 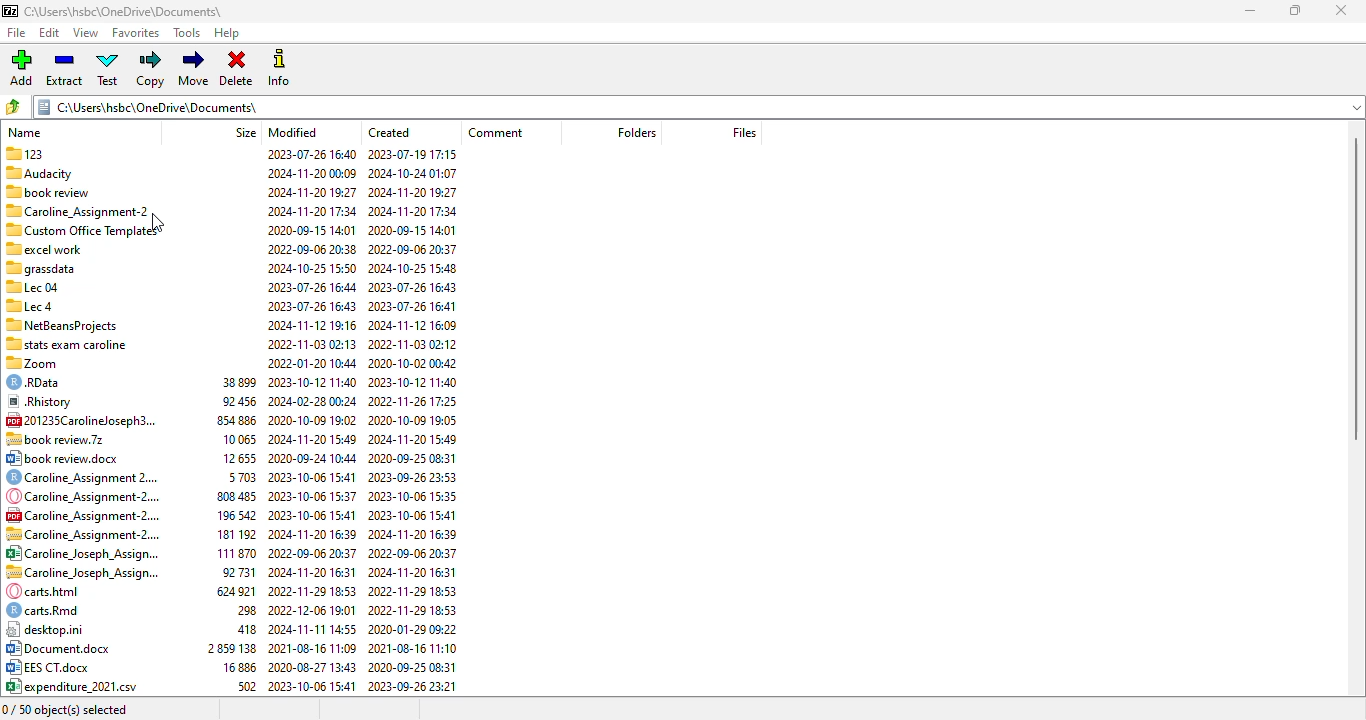 I want to click on 2024-11-20 15:49, so click(x=416, y=441).